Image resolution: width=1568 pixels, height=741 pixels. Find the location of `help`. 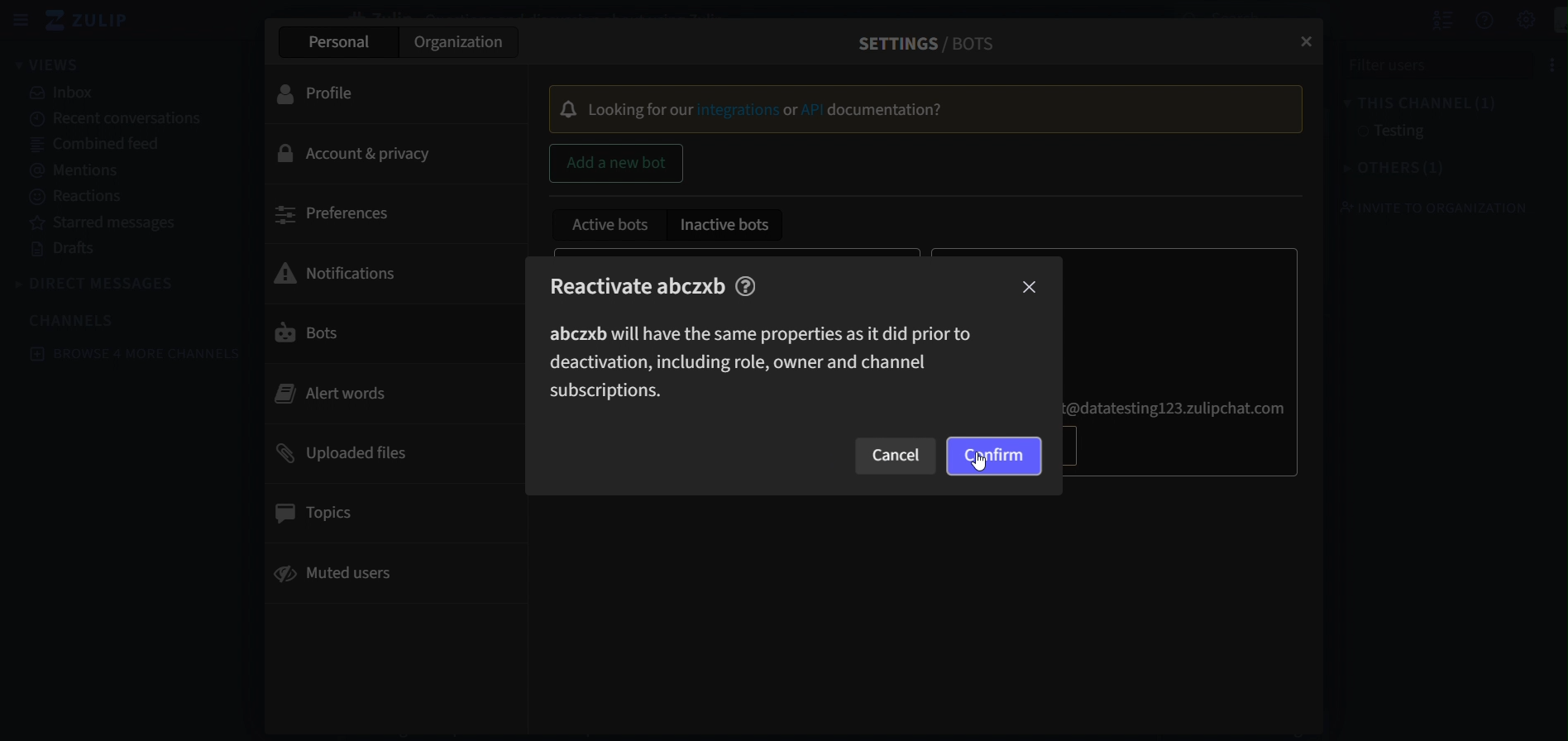

help is located at coordinates (748, 286).